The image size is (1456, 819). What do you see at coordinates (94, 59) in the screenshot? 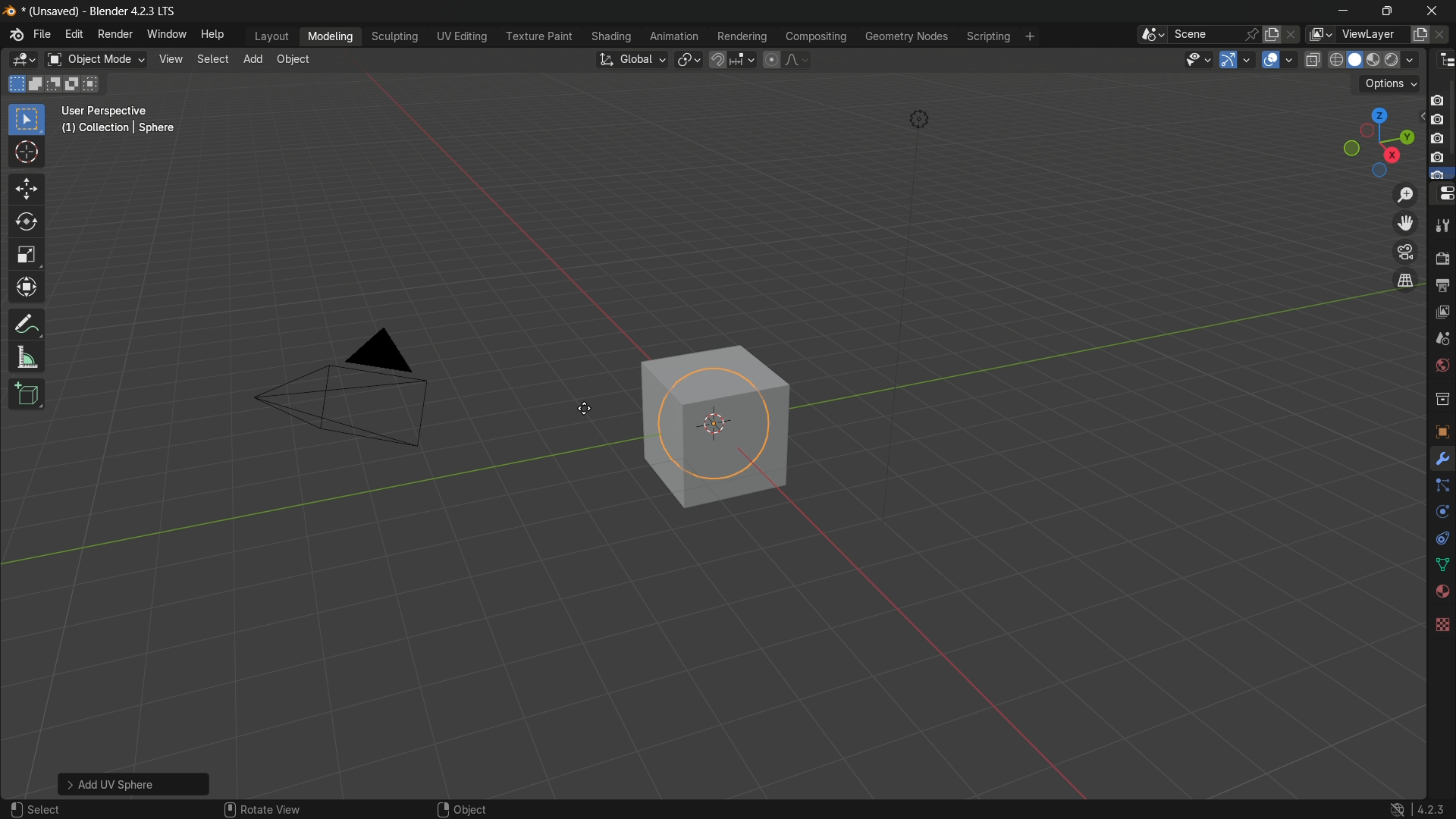
I see `switch mode` at bounding box center [94, 59].